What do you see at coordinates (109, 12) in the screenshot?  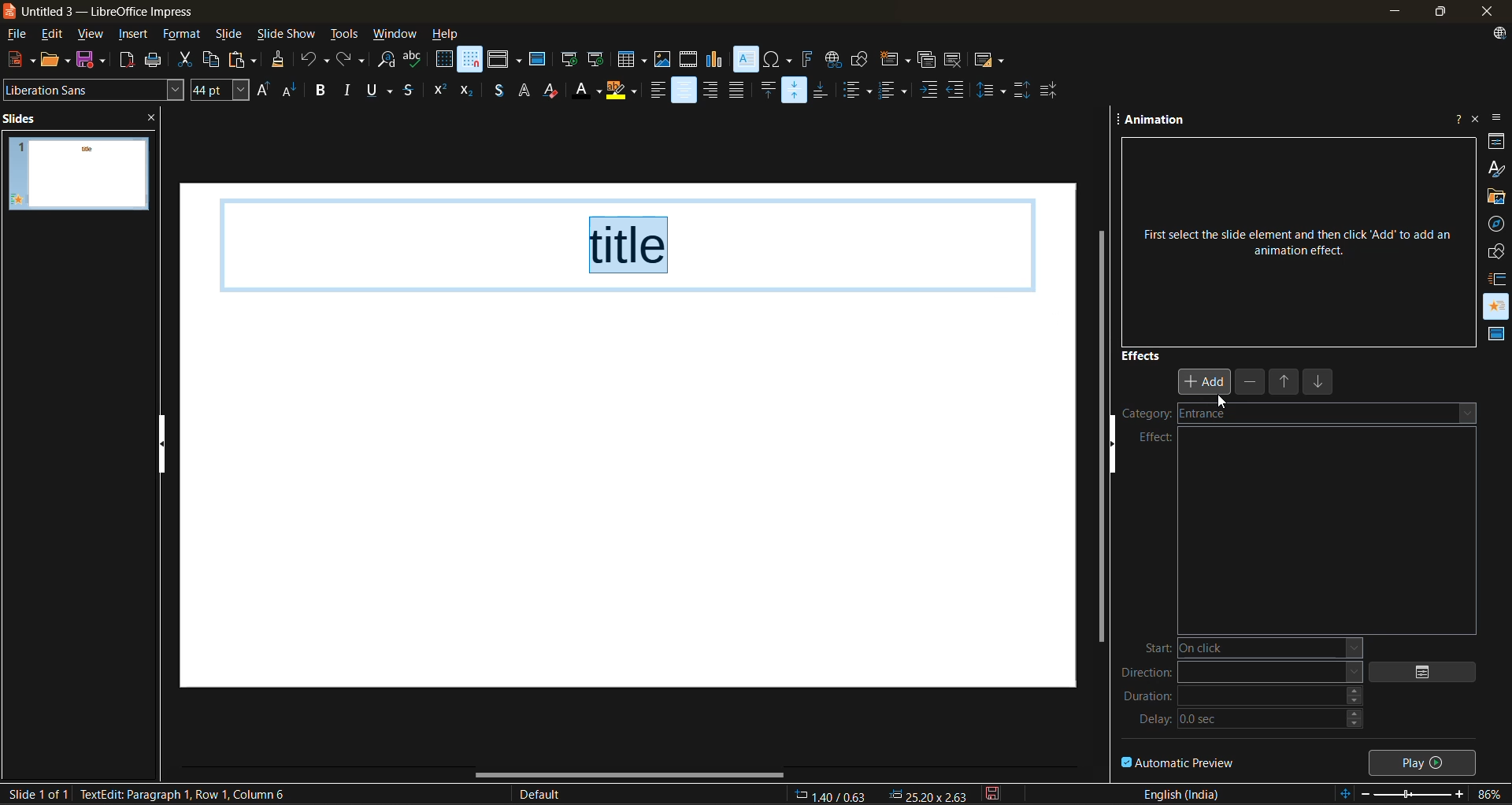 I see `app name and file name` at bounding box center [109, 12].